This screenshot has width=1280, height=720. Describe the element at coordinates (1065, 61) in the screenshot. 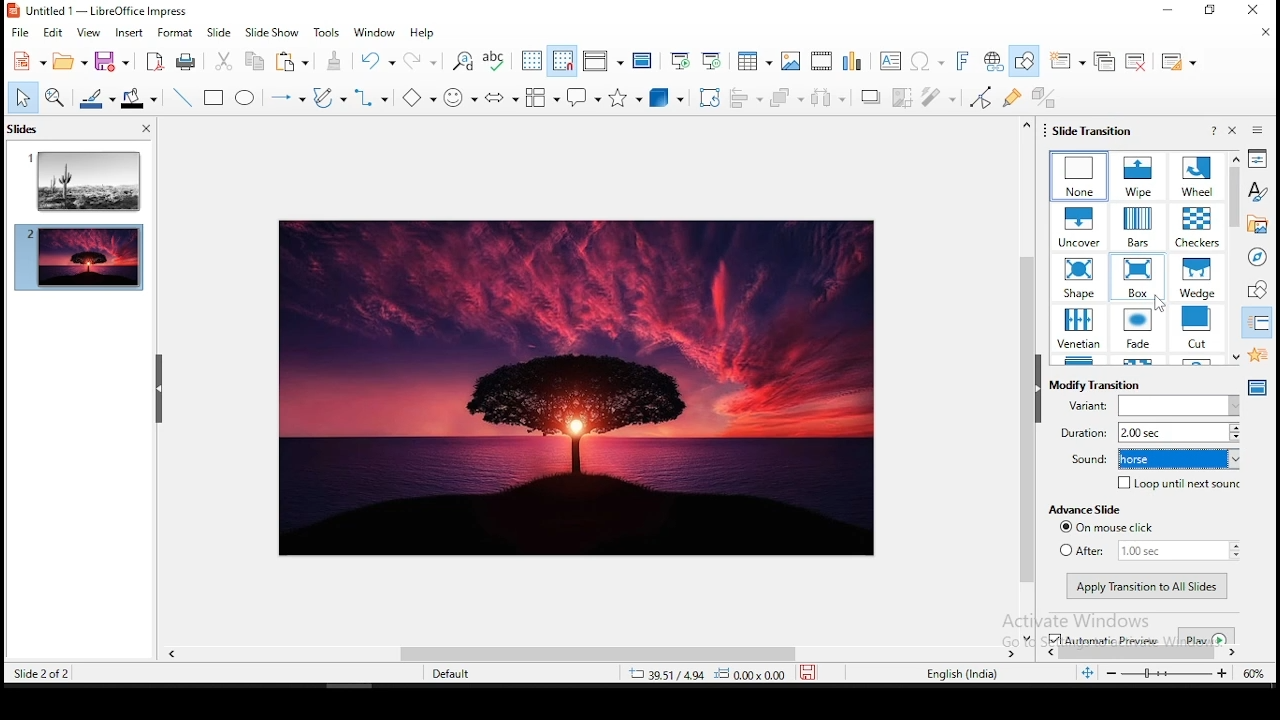

I see `new slide` at that location.